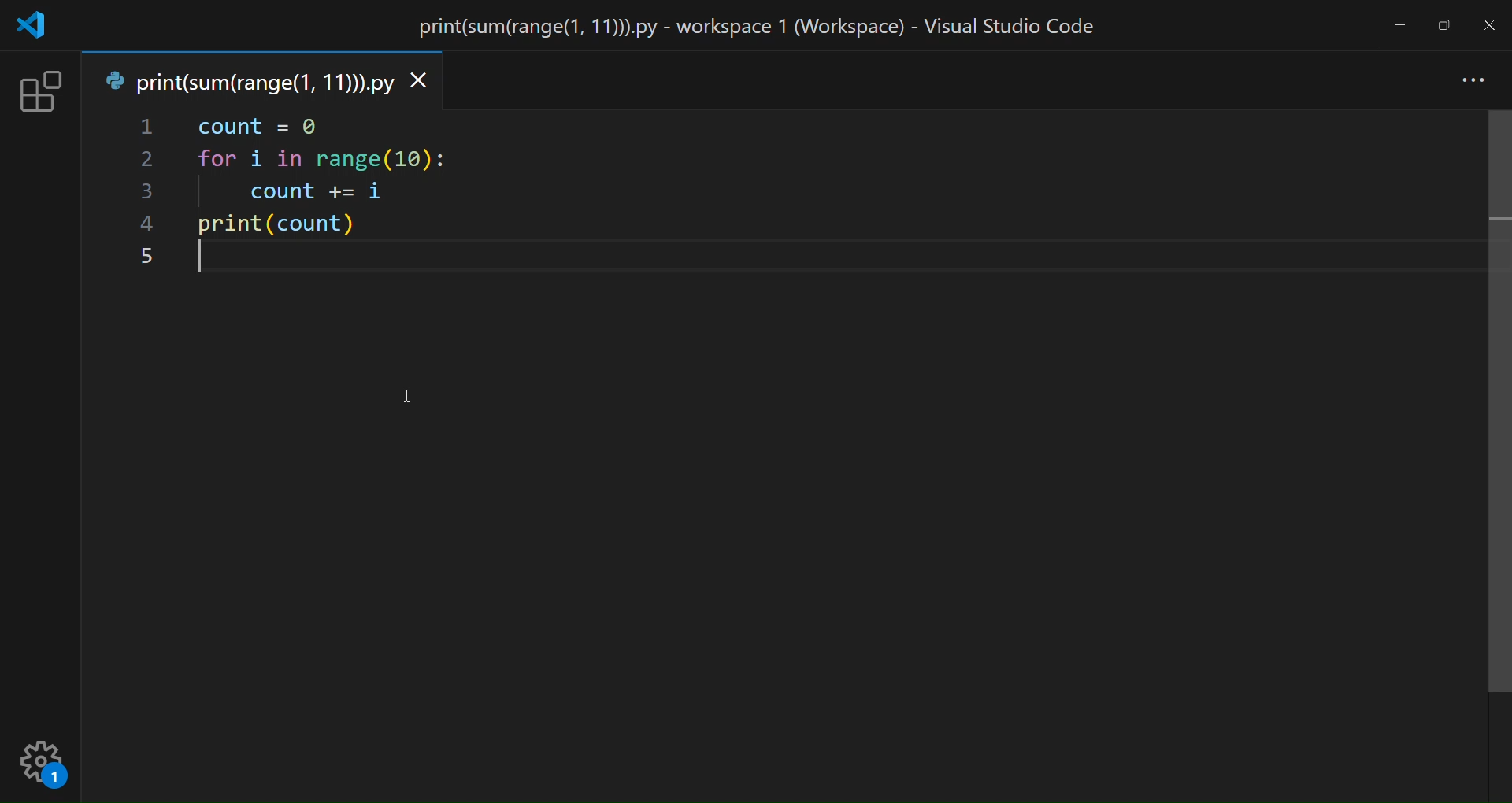  I want to click on tab name, so click(246, 81).